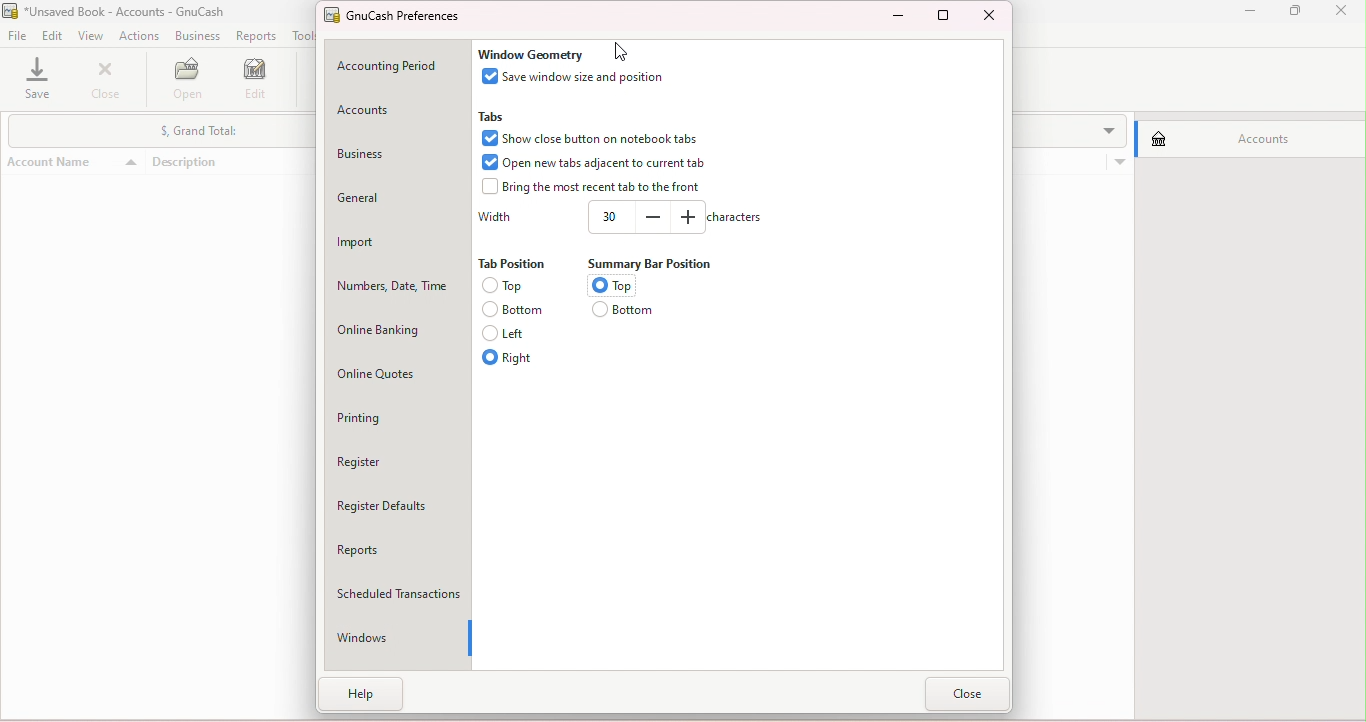  Describe the element at coordinates (578, 77) in the screenshot. I see `Save window size and position` at that location.